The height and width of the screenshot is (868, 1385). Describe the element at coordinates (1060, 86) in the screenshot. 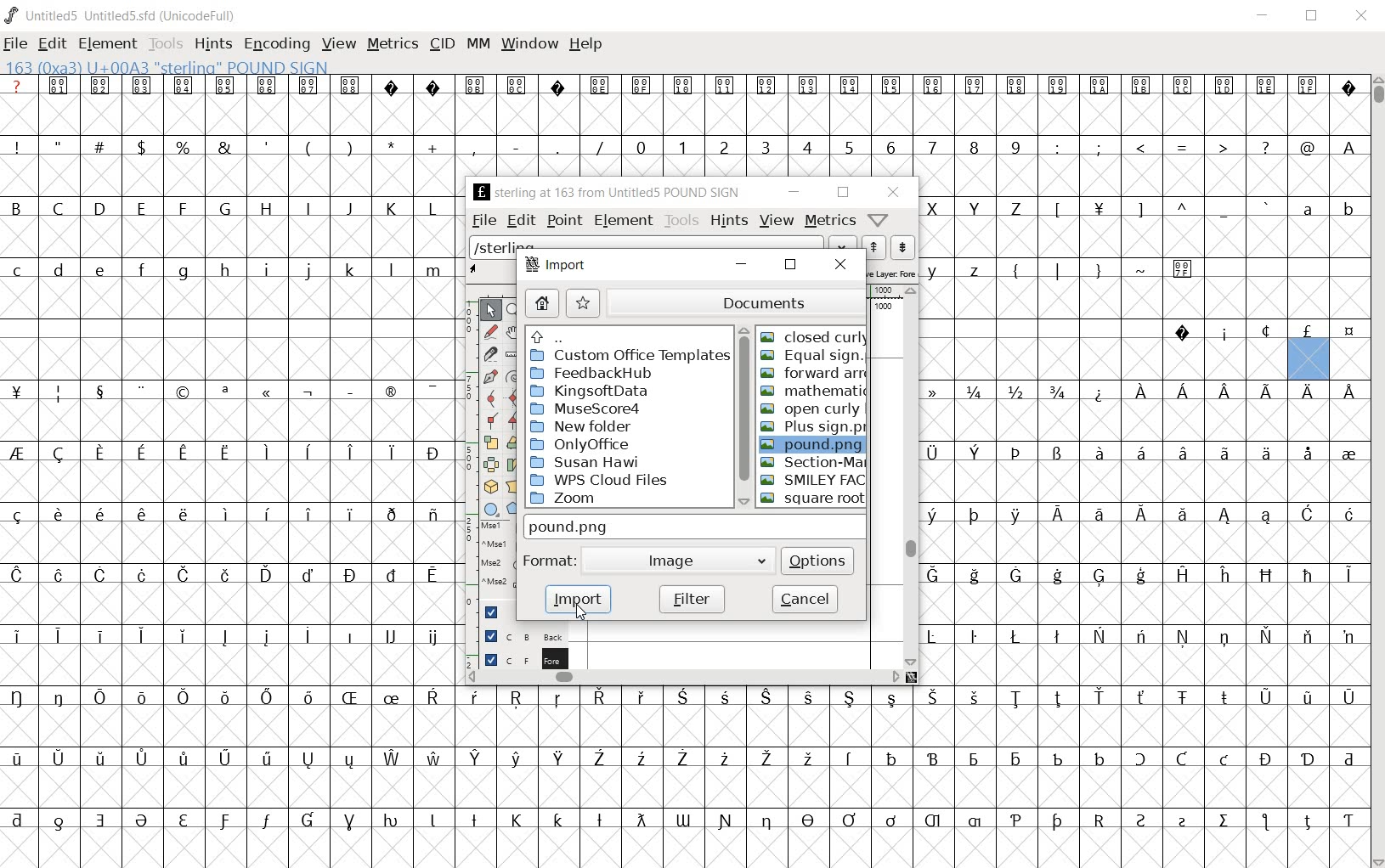

I see `Symbol` at that location.